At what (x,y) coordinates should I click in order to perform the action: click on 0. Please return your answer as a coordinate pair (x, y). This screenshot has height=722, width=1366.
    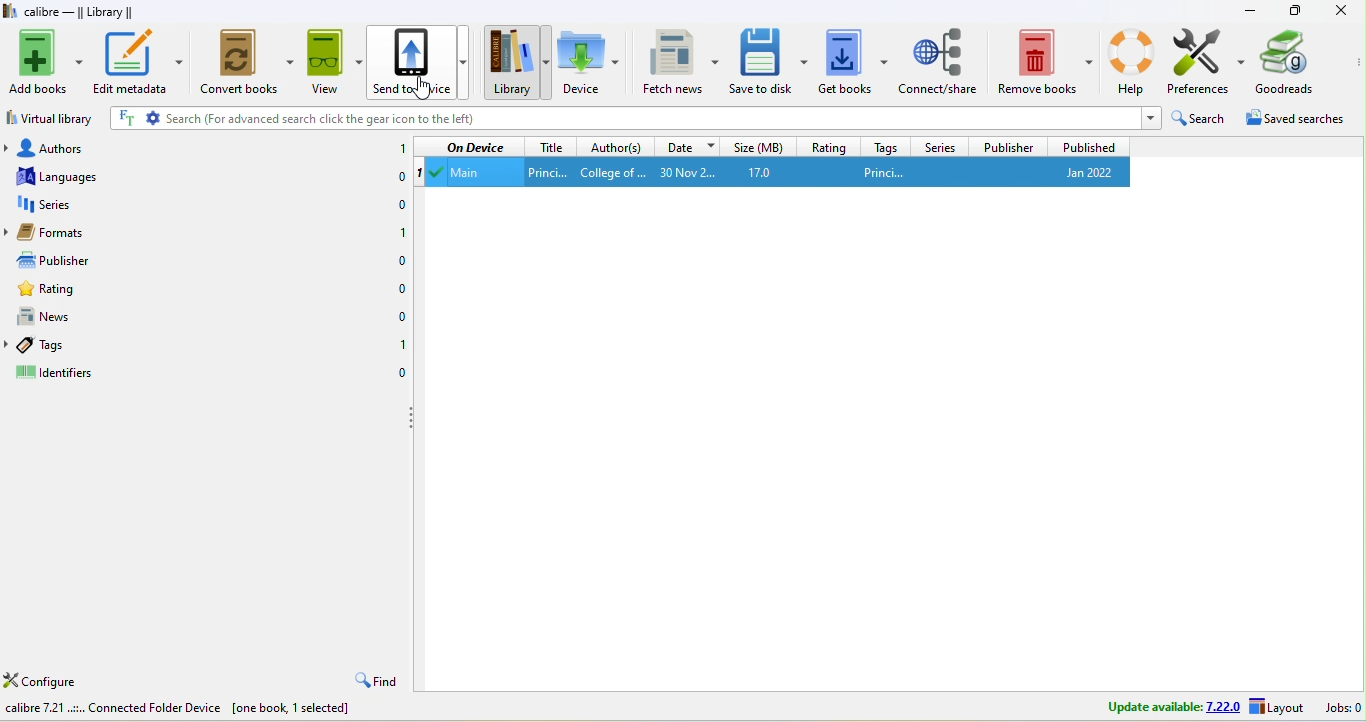
    Looking at the image, I should click on (391, 204).